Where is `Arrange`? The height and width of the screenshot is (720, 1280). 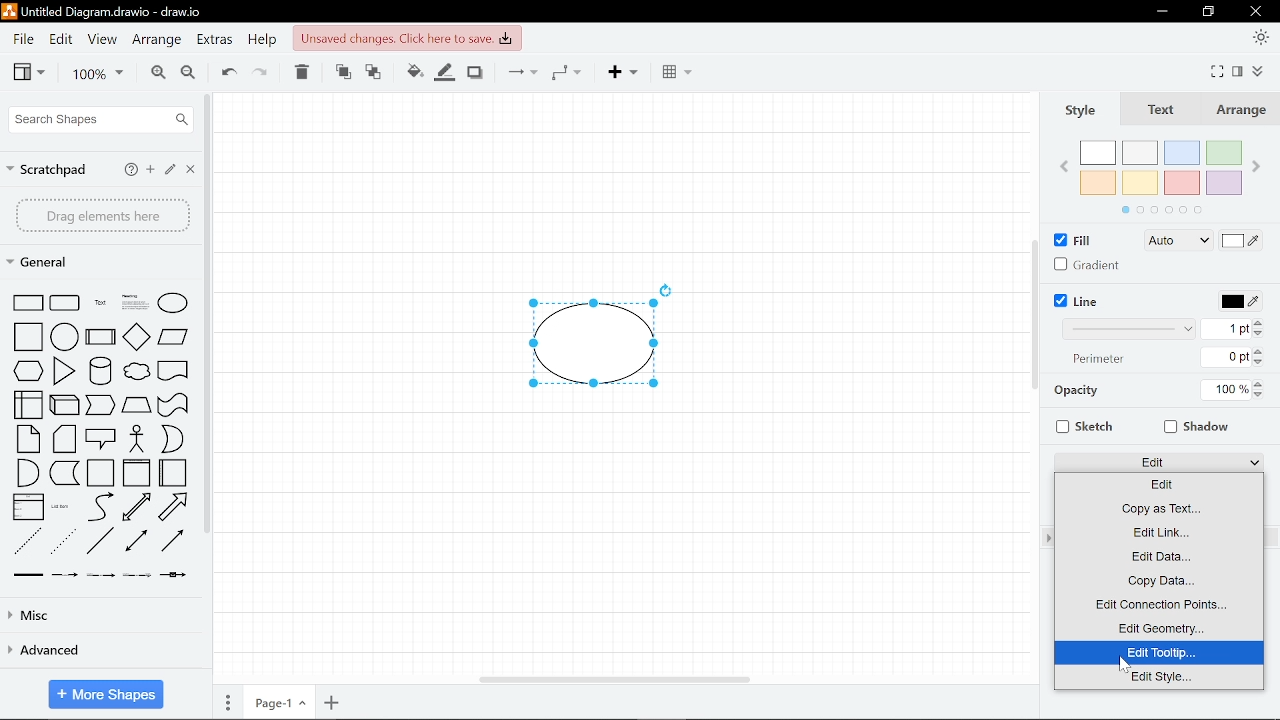
Arrange is located at coordinates (1239, 111).